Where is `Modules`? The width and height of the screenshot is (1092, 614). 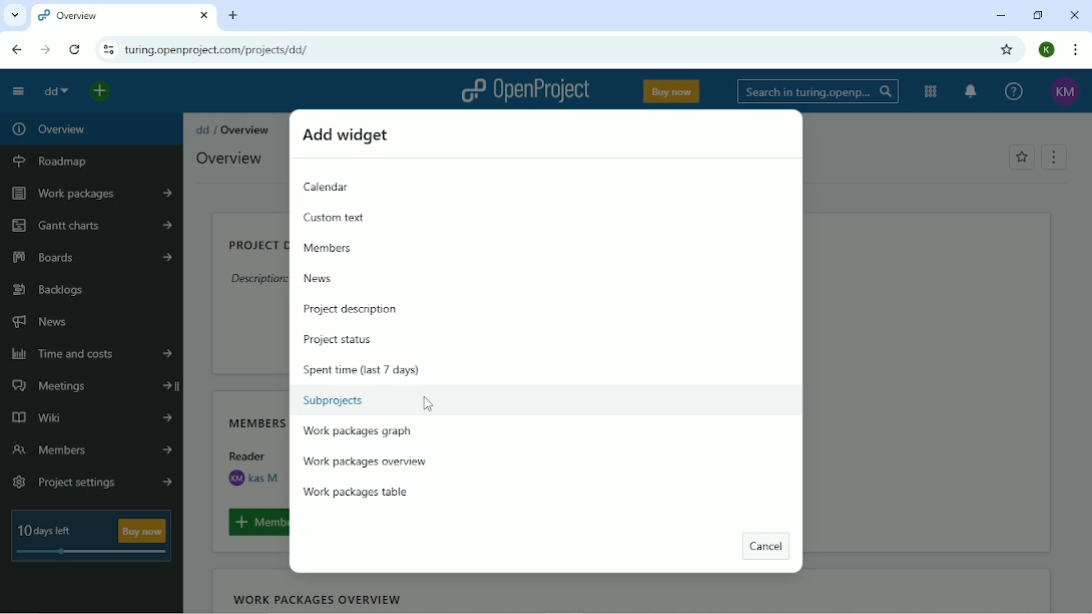 Modules is located at coordinates (930, 91).